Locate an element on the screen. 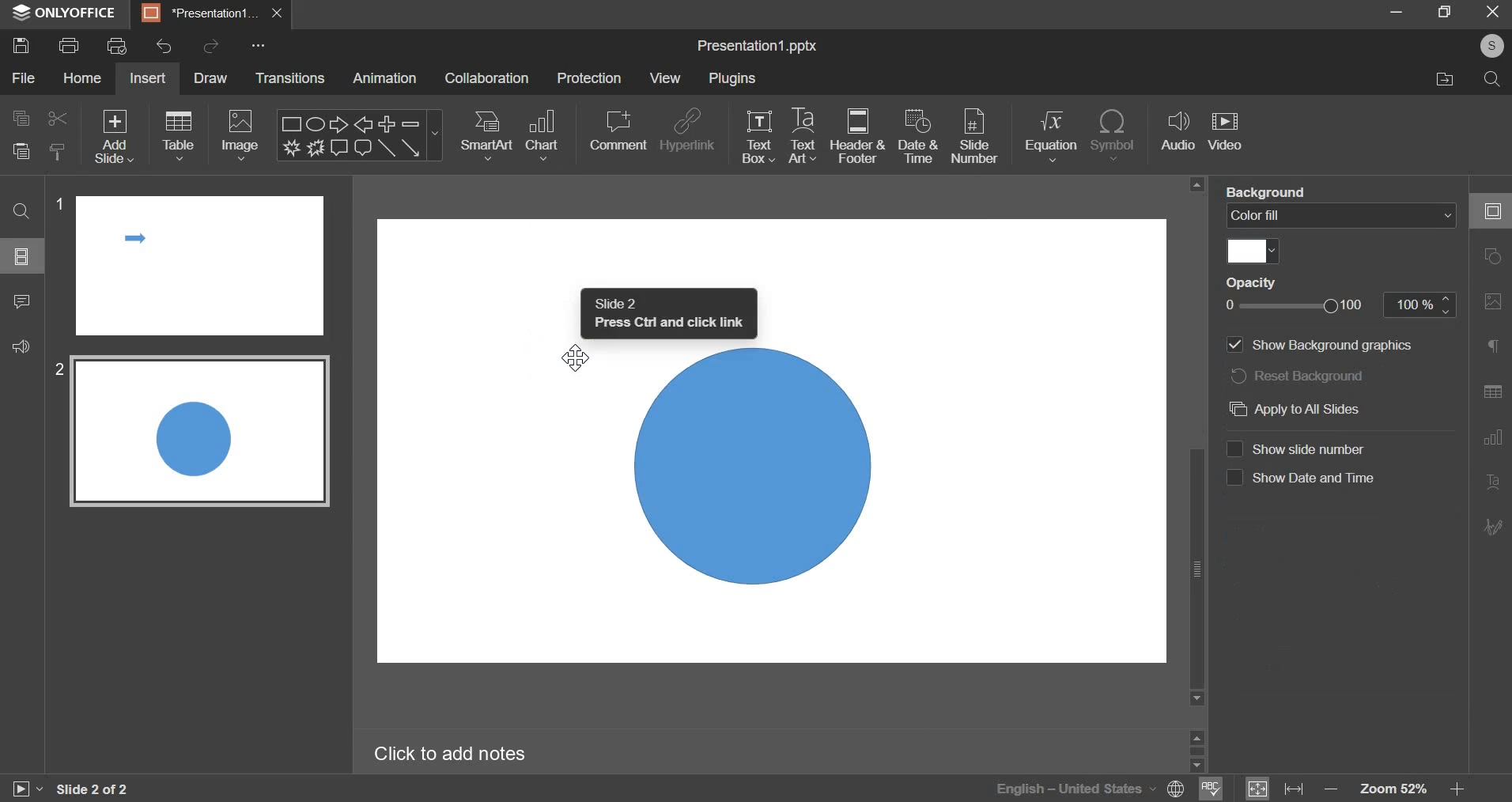  Click to add notes is located at coordinates (452, 752).